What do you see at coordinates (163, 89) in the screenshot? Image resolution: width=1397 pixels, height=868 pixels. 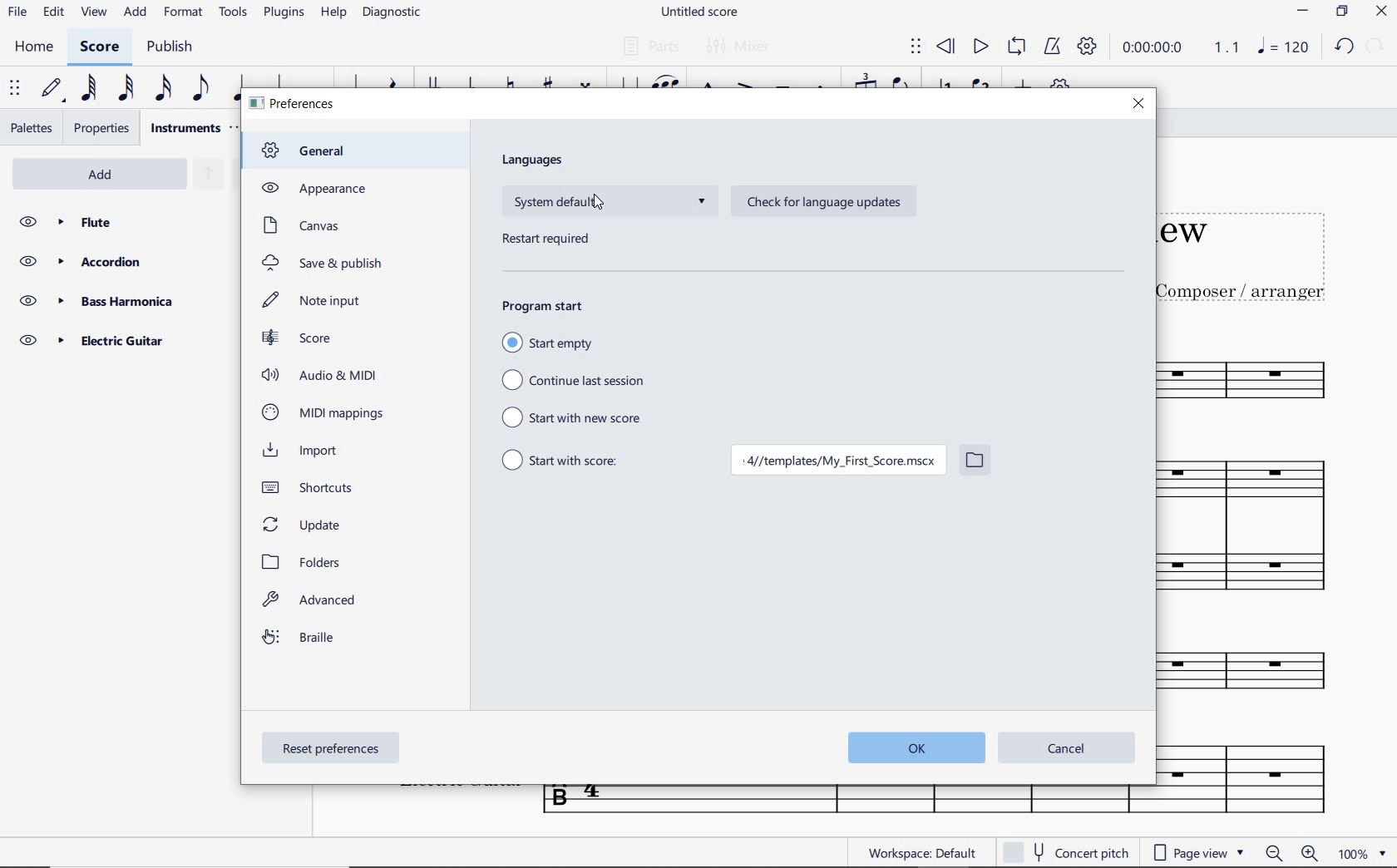 I see `16th note` at bounding box center [163, 89].